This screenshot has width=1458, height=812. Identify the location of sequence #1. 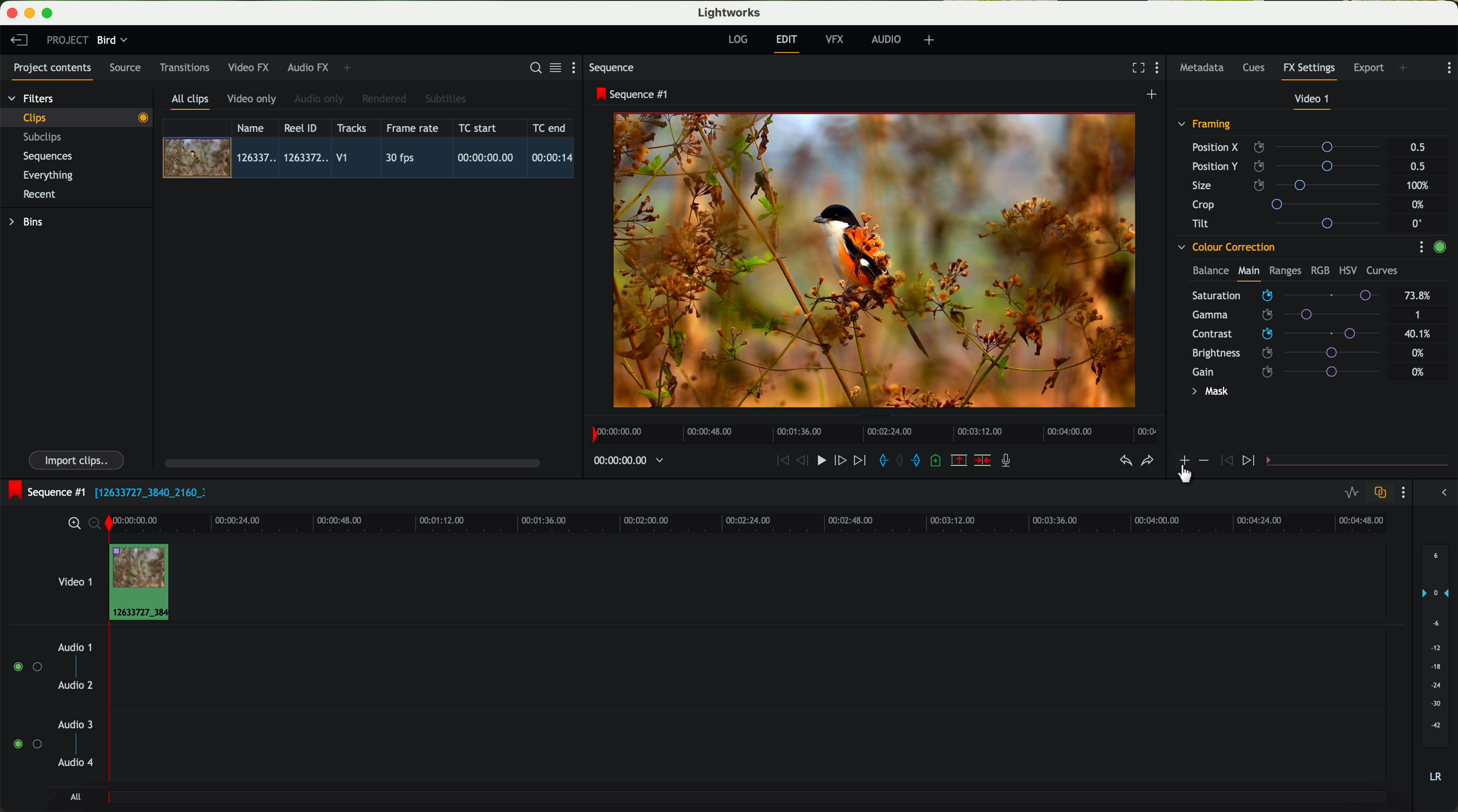
(633, 94).